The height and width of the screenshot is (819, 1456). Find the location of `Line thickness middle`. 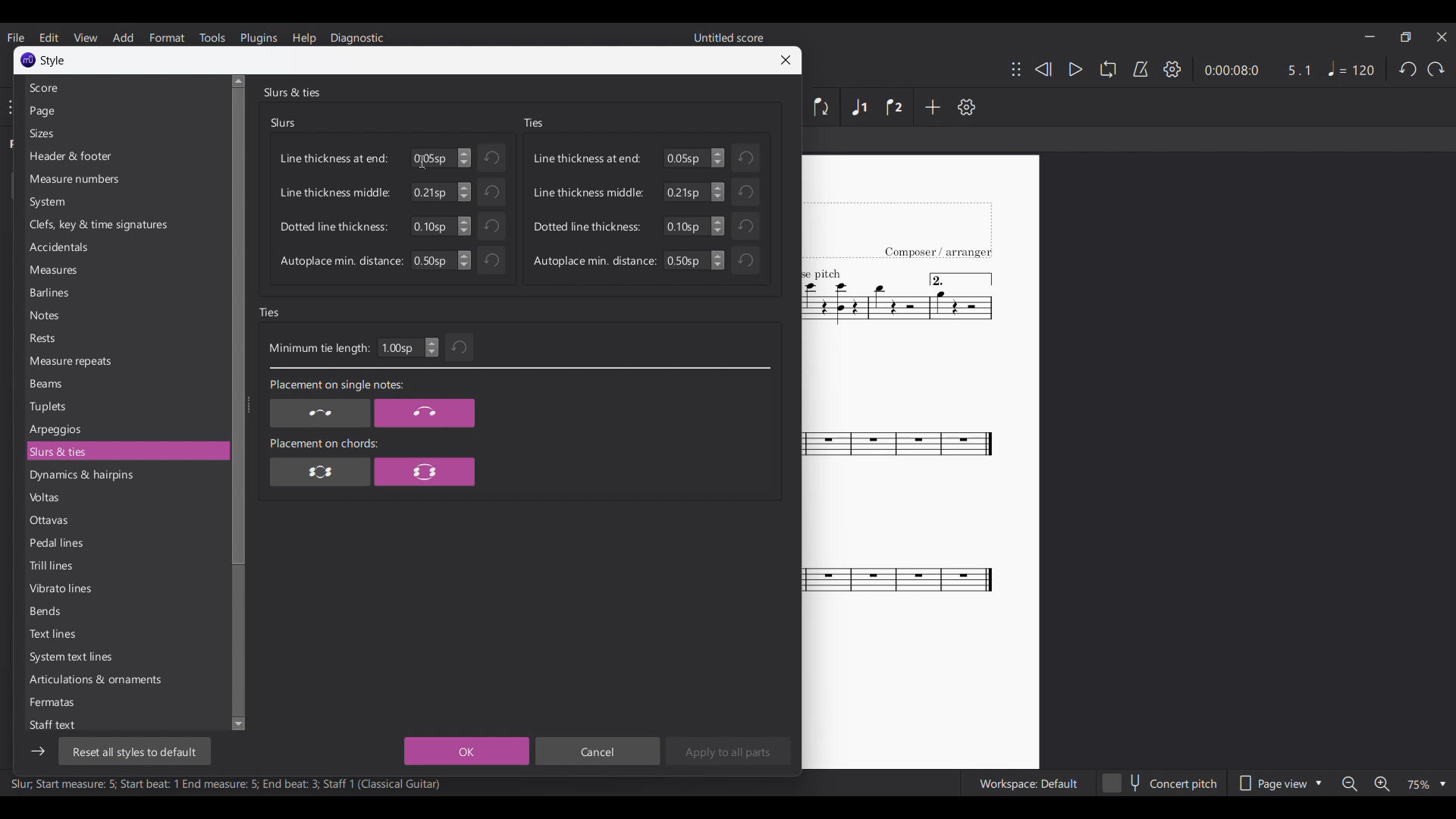

Line thickness middle is located at coordinates (335, 192).